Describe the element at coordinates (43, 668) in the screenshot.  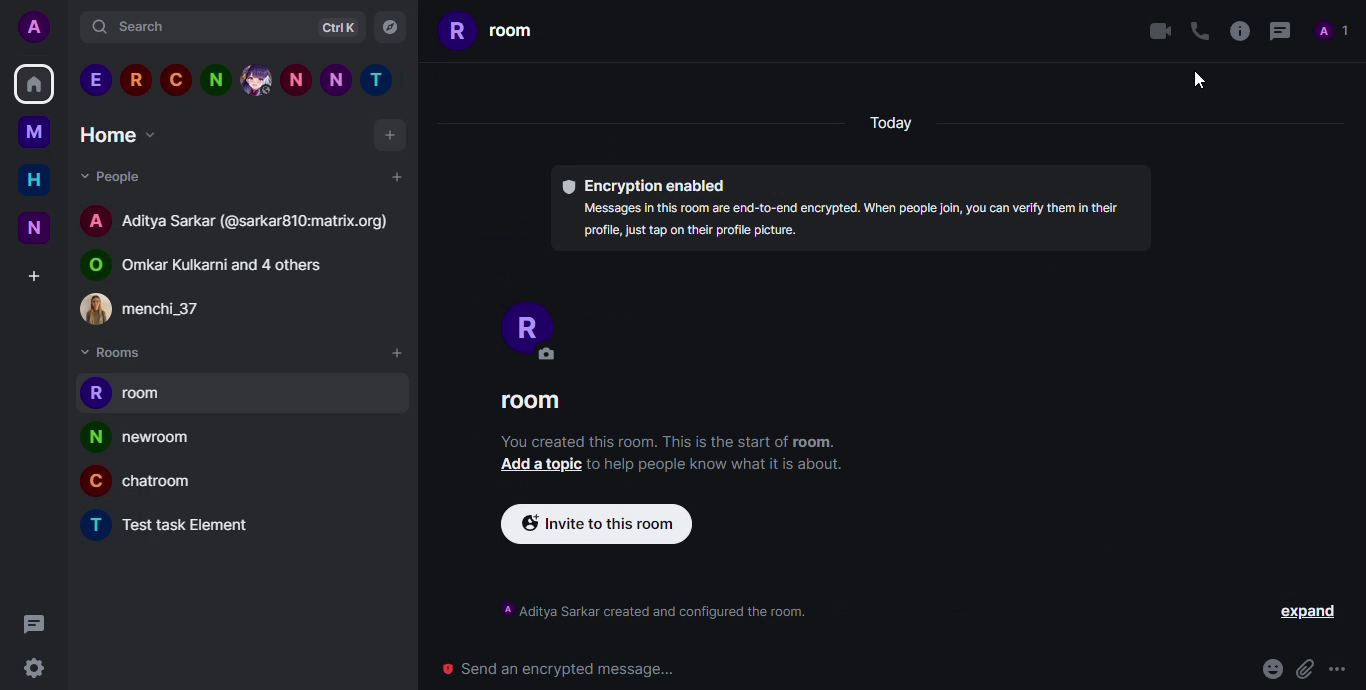
I see `settings` at that location.